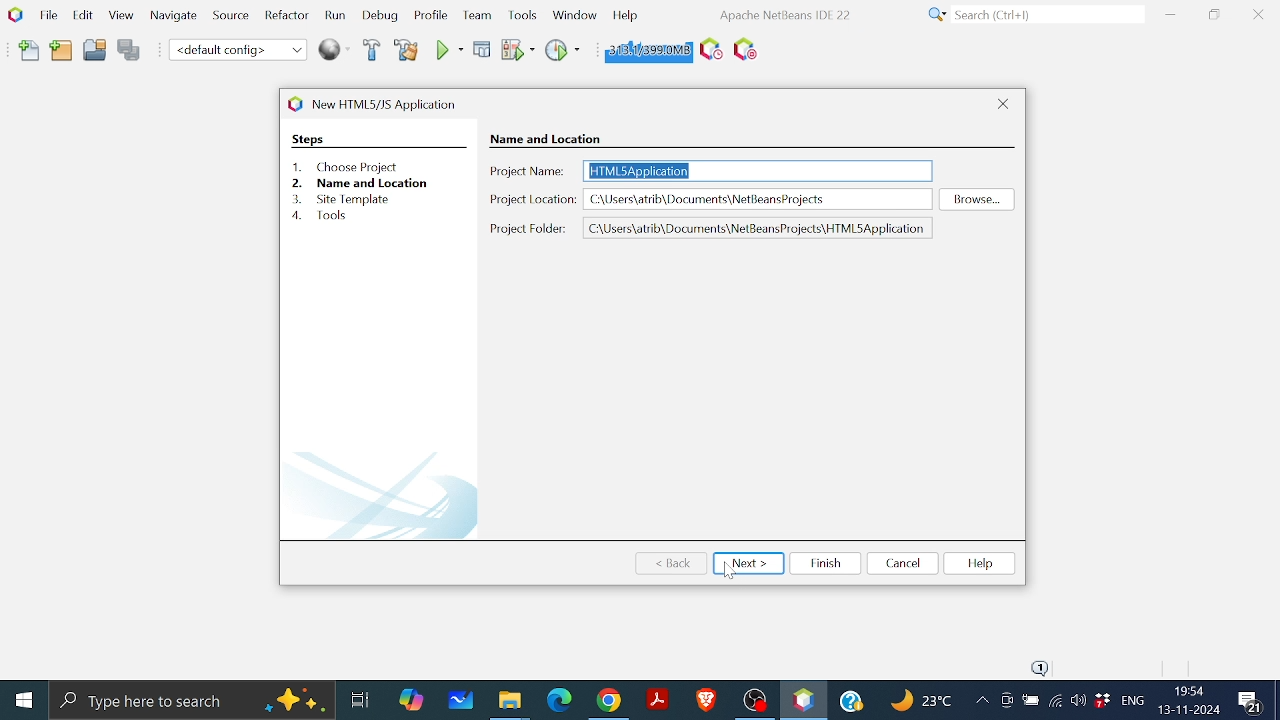 The width and height of the screenshot is (1280, 720). I want to click on View, so click(120, 16).